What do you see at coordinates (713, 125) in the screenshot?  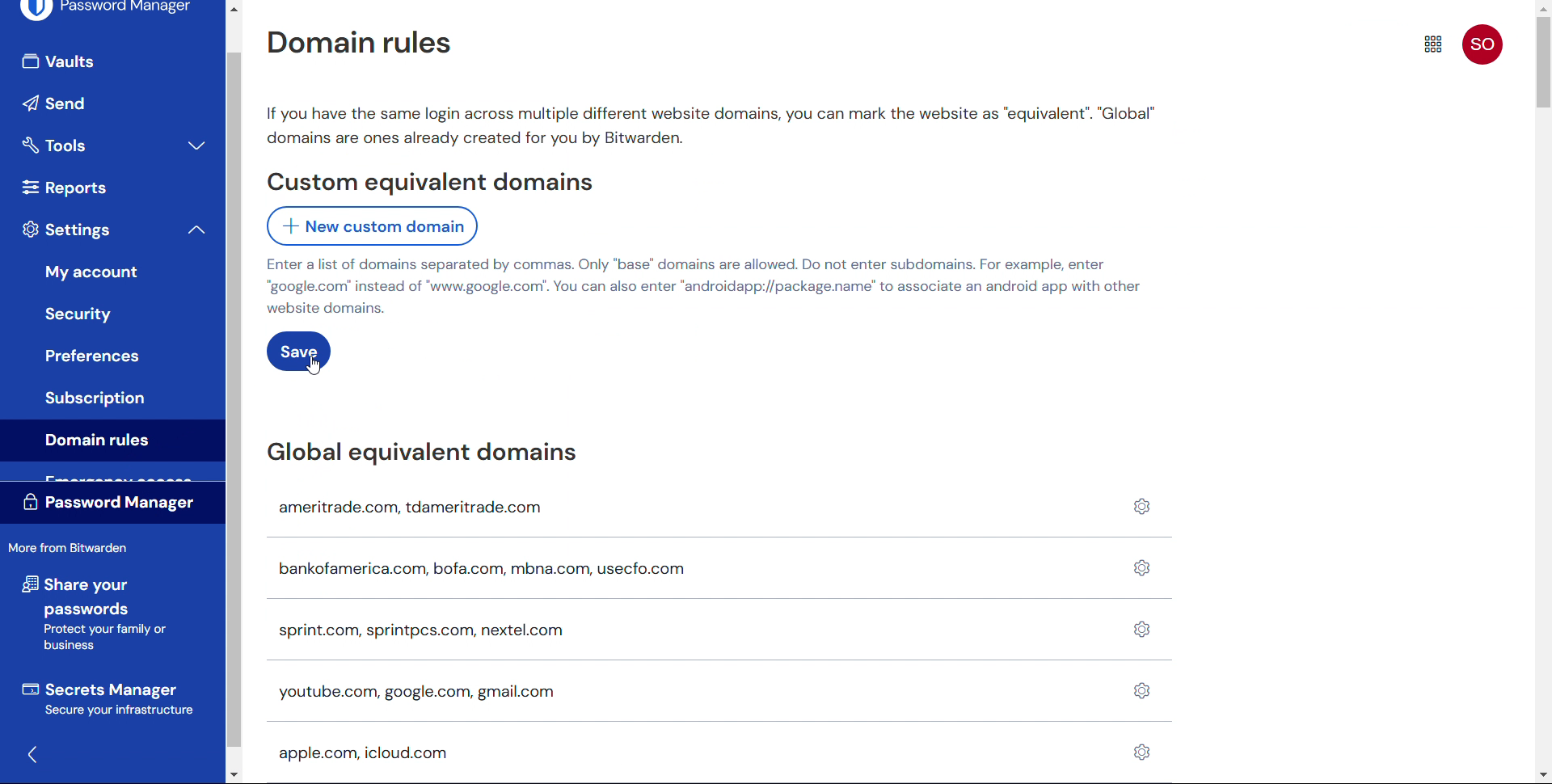 I see `If you have the same login across multiple different website domains, you can mark the website as “equivalent”. "Global"
domains are ones already created for you by Bitwarden.` at bounding box center [713, 125].